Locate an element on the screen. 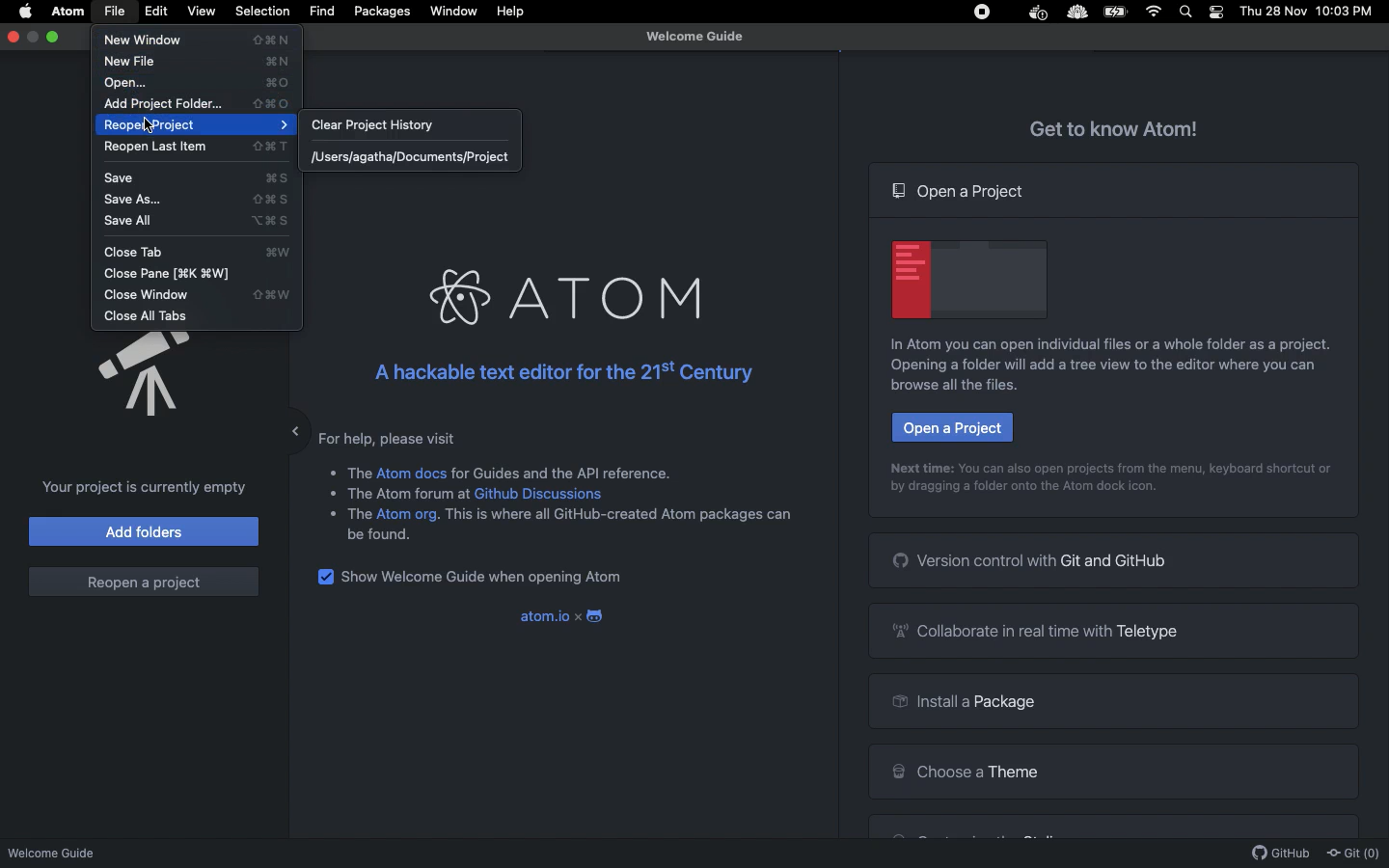  Close tab is located at coordinates (203, 252).